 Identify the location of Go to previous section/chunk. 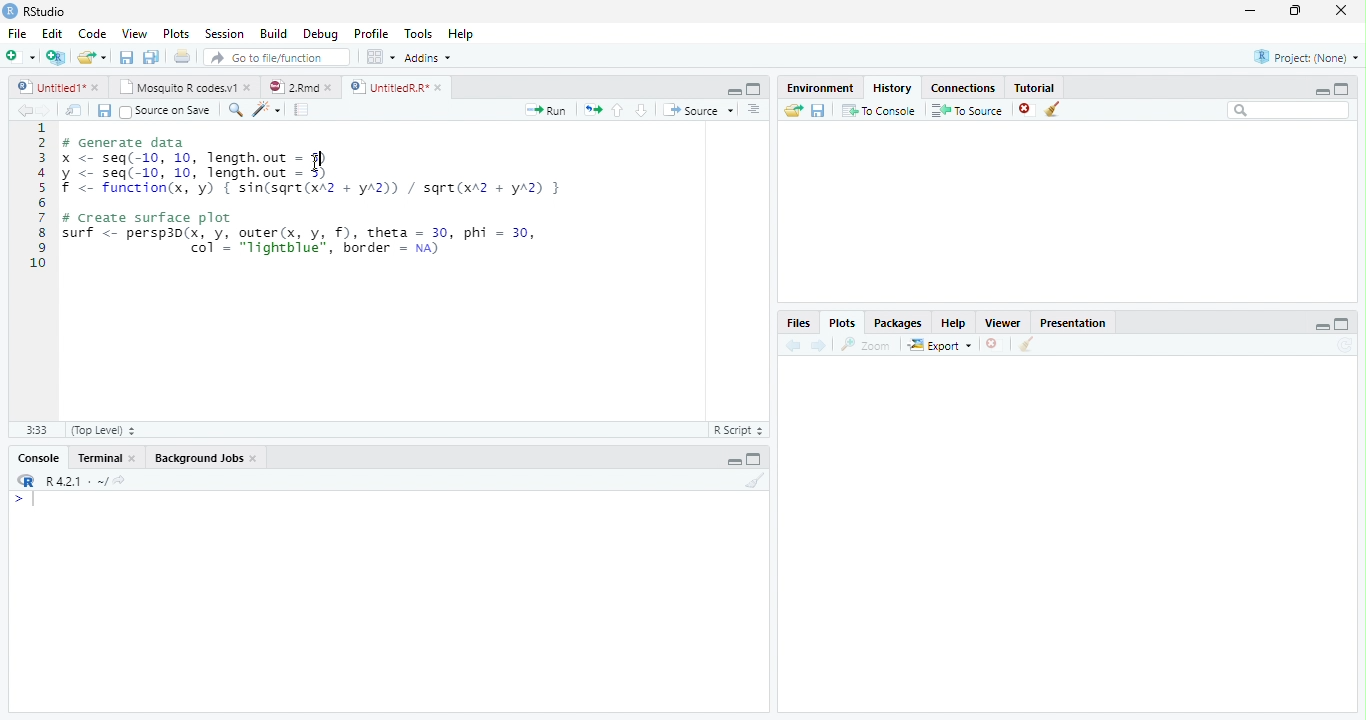
(617, 110).